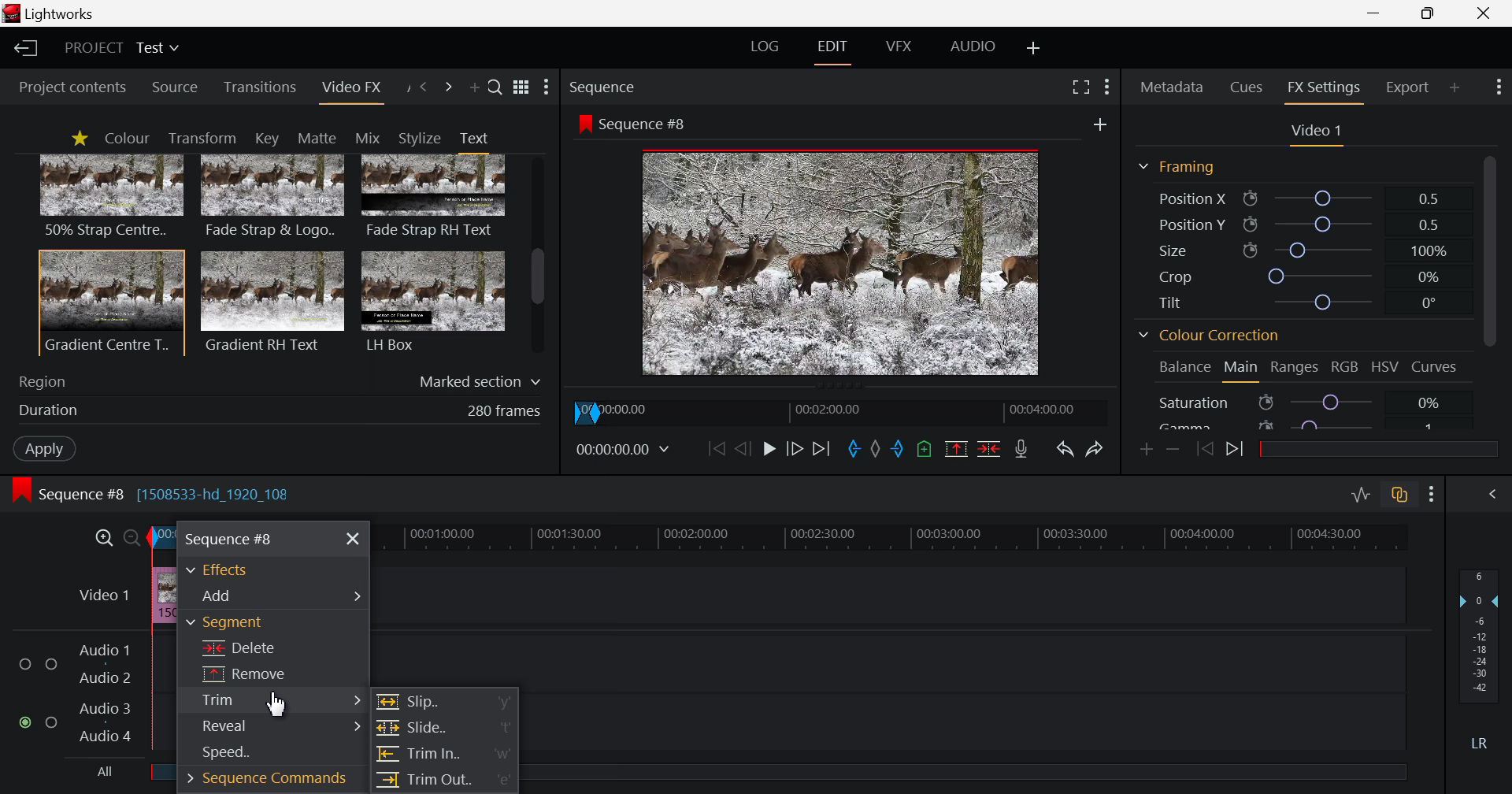  What do you see at coordinates (547, 88) in the screenshot?
I see `Show Settings` at bounding box center [547, 88].